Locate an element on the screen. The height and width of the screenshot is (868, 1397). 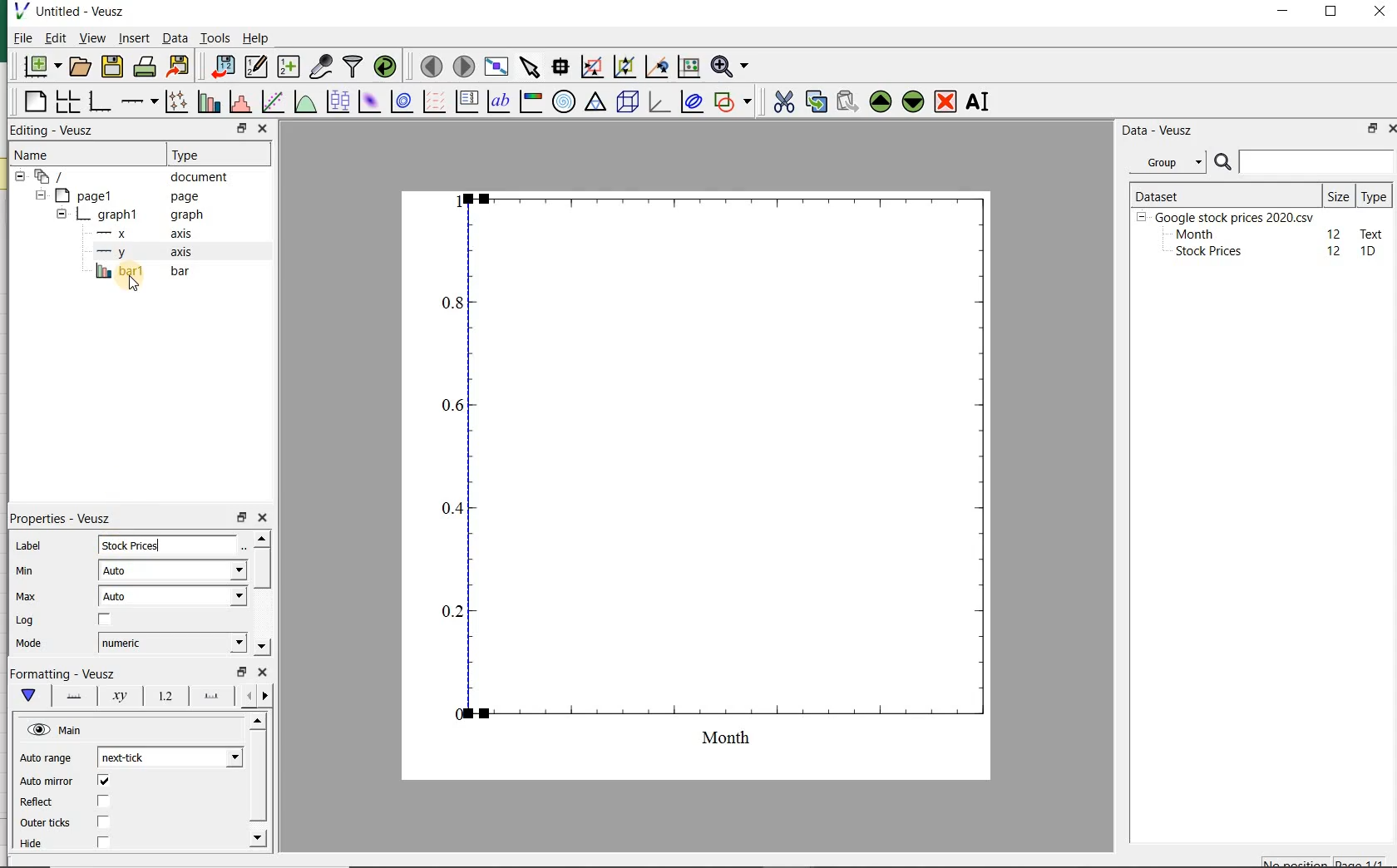
scrollbar is located at coordinates (261, 594).